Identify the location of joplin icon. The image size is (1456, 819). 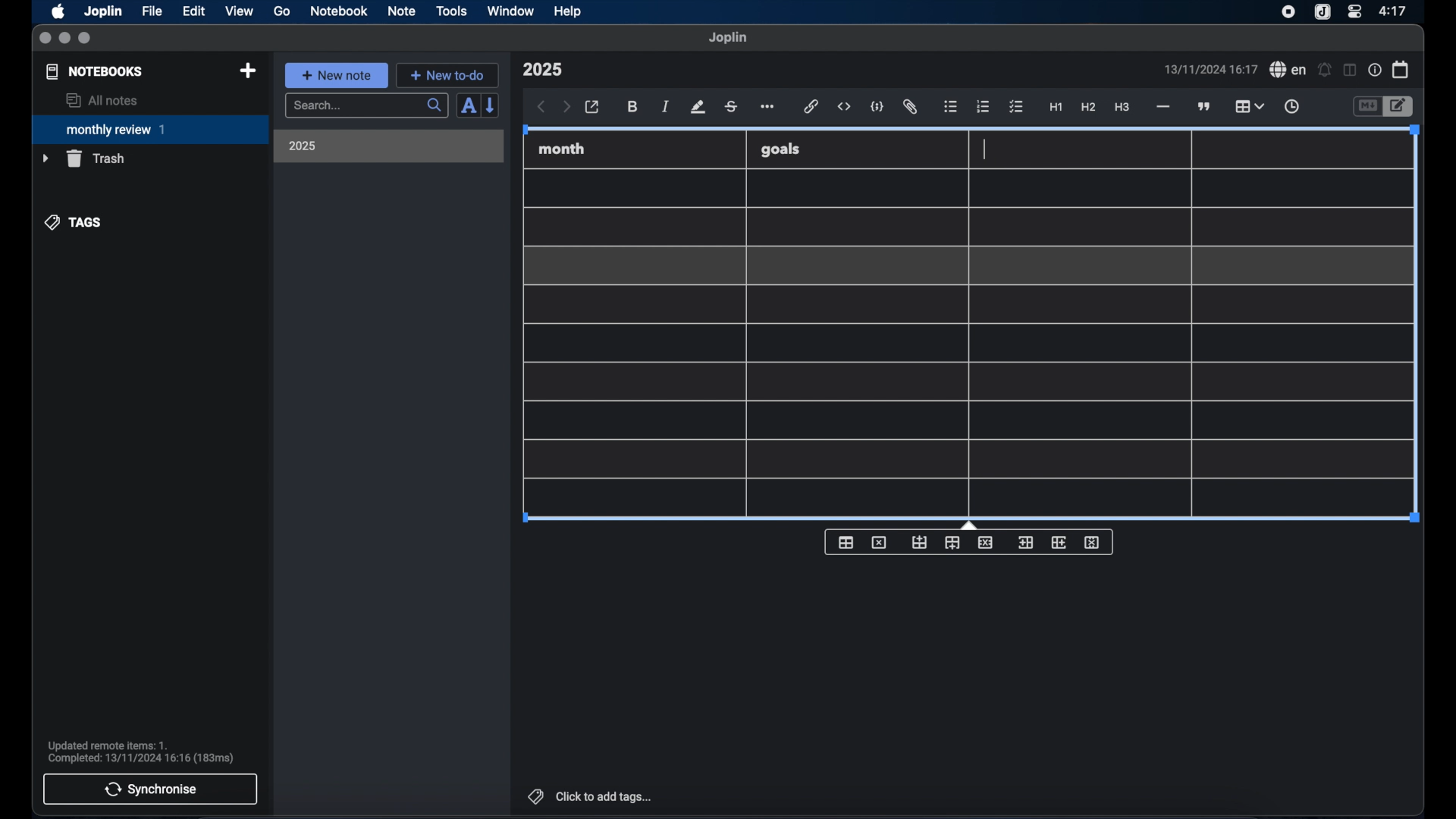
(1321, 13).